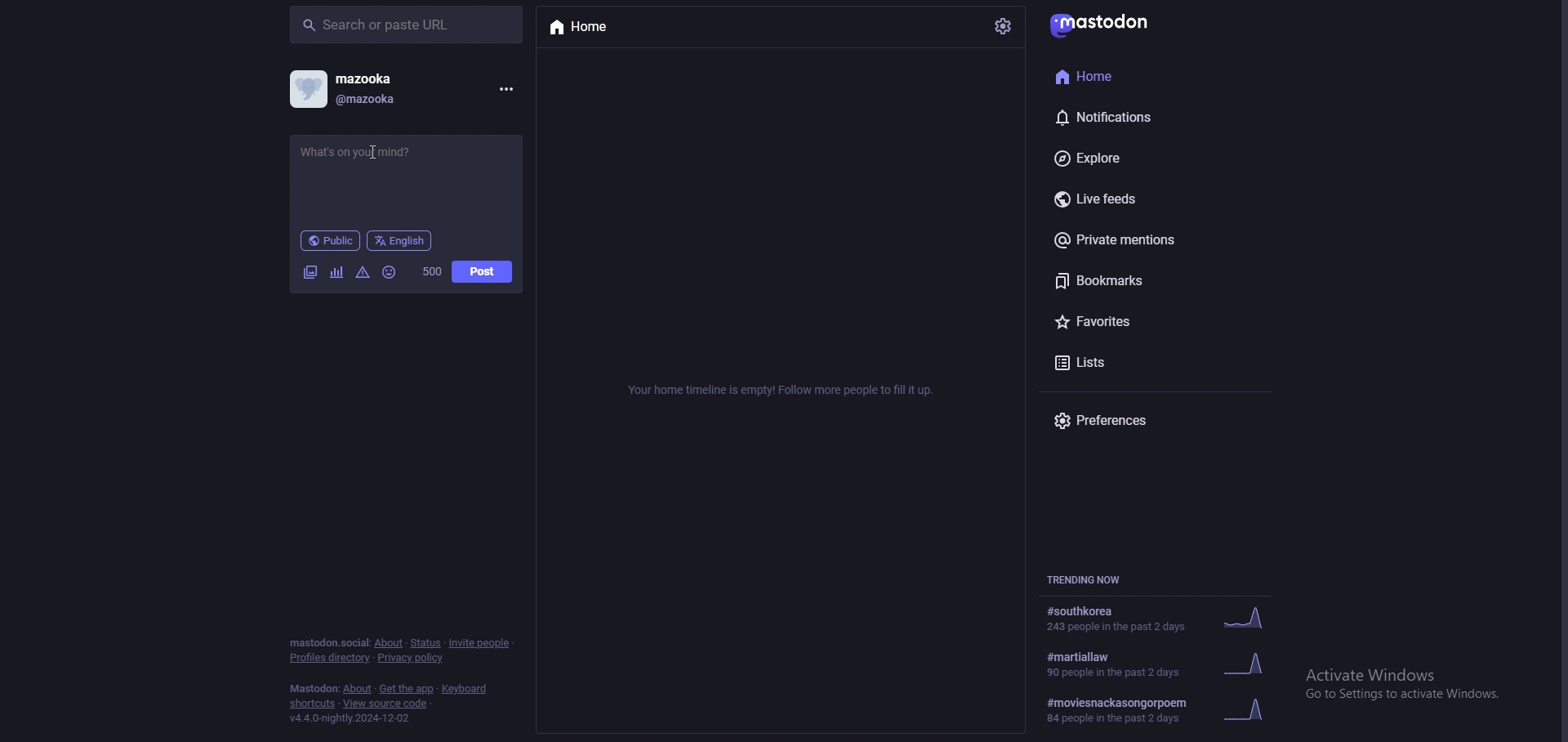 The height and width of the screenshot is (742, 1568). Describe the element at coordinates (483, 271) in the screenshot. I see `post` at that location.